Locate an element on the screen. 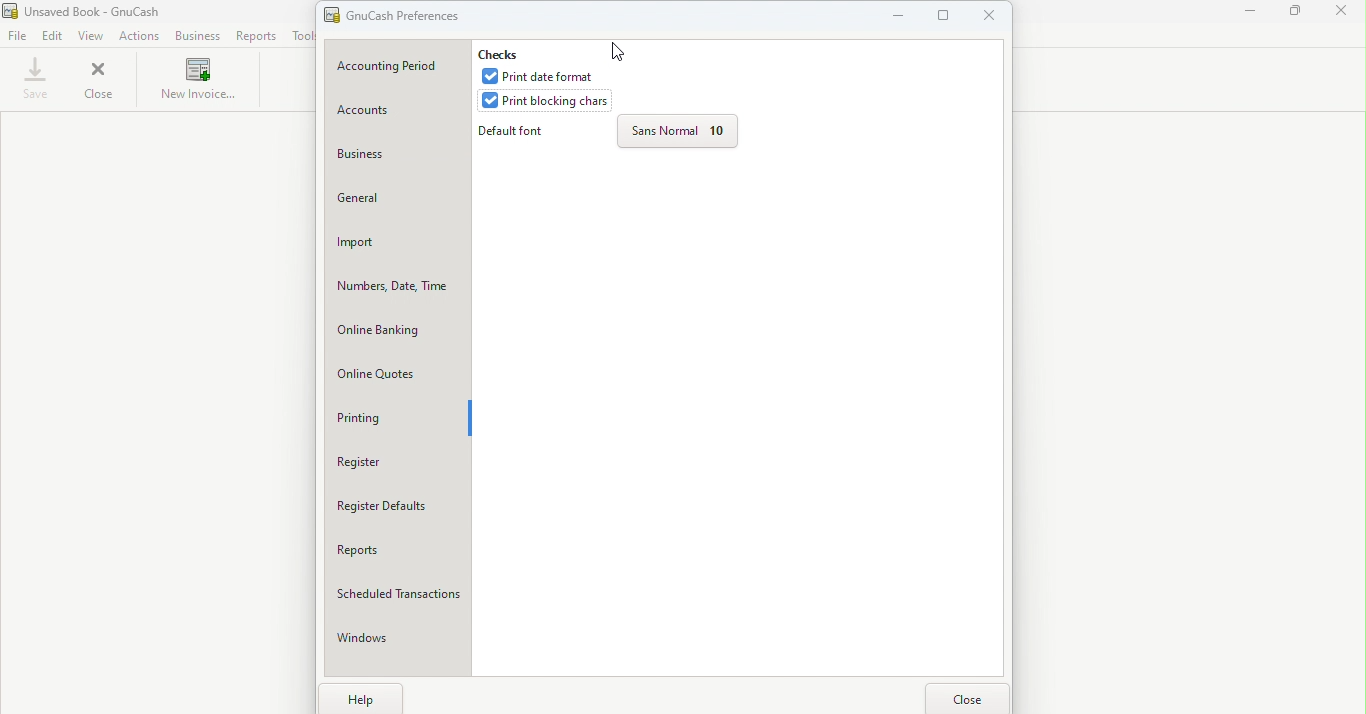  Accounts is located at coordinates (397, 112).